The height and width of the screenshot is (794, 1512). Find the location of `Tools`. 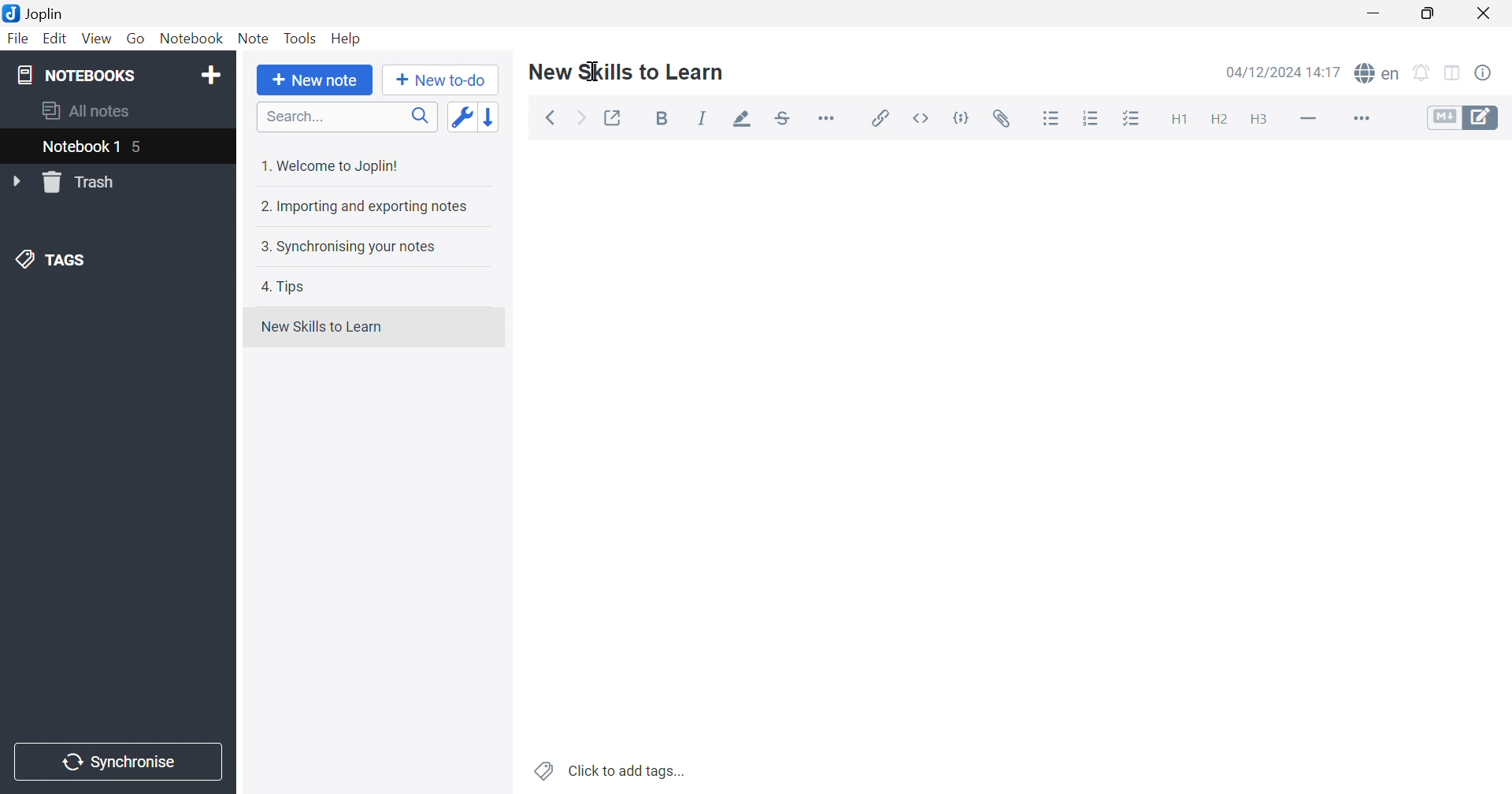

Tools is located at coordinates (300, 38).